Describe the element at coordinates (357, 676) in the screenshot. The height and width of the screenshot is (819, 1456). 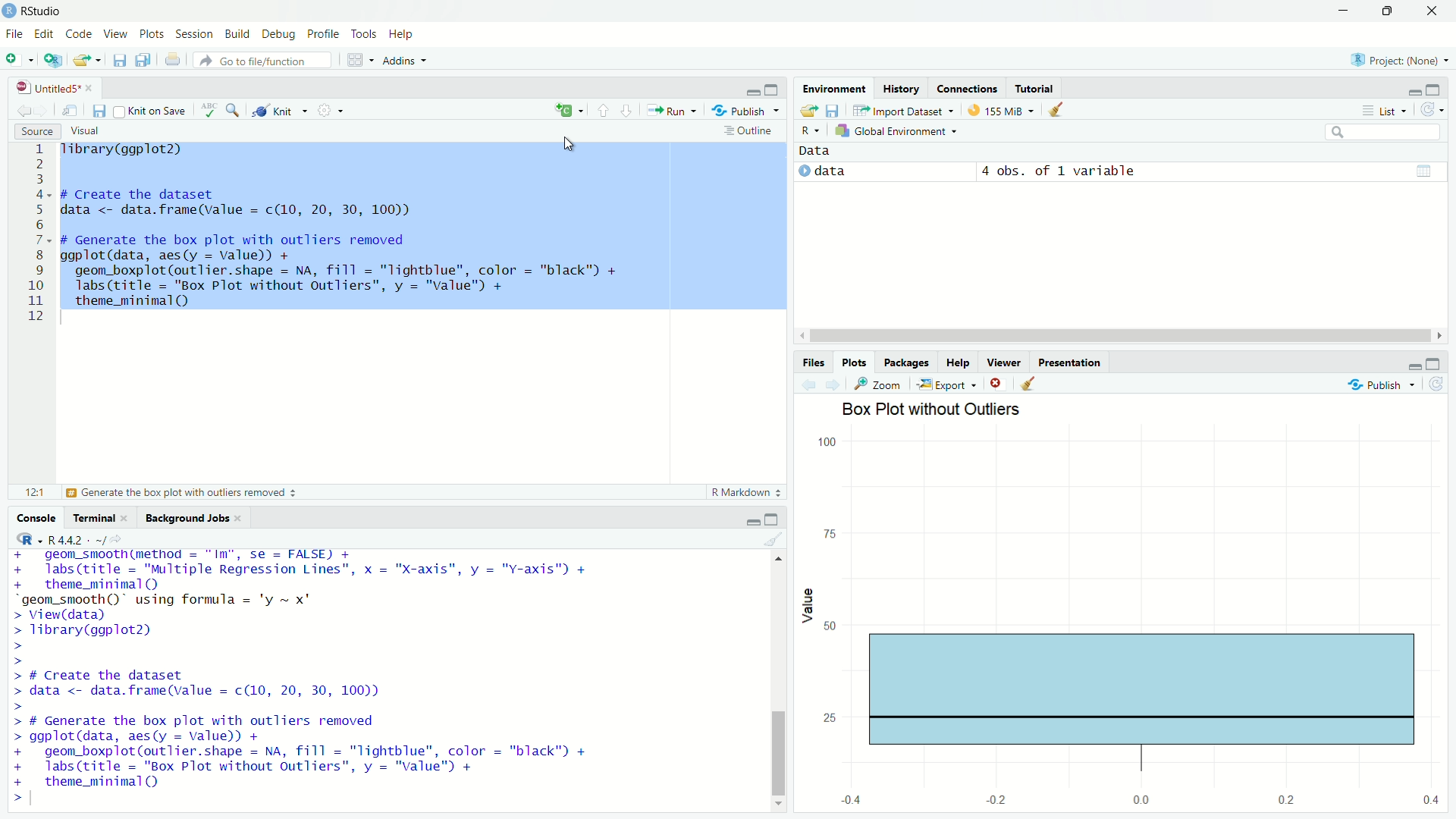
I see `> library(ggplot2)

>

> data <- data. frame(

+ x=cQ, 2,3),

+ Y=c@B,6,9,

+ Group = factor(c("A", "B", "C")) # Different groups for multiple regression lines
+)

>

>

> ggplot(data, aes(x = X, y = Y, color = Group)) +

+ geom_point(size = 3) +

+  geom_smooth(method = "Im", se = FALSE) +

+ labs(title = "Multiple Regression Lines", x = "X-axis", y = "v-axis") +
+  theme_minimal()

“geom_smooth()~ using formula = 'y ~ x'

> View(data)

S` at that location.